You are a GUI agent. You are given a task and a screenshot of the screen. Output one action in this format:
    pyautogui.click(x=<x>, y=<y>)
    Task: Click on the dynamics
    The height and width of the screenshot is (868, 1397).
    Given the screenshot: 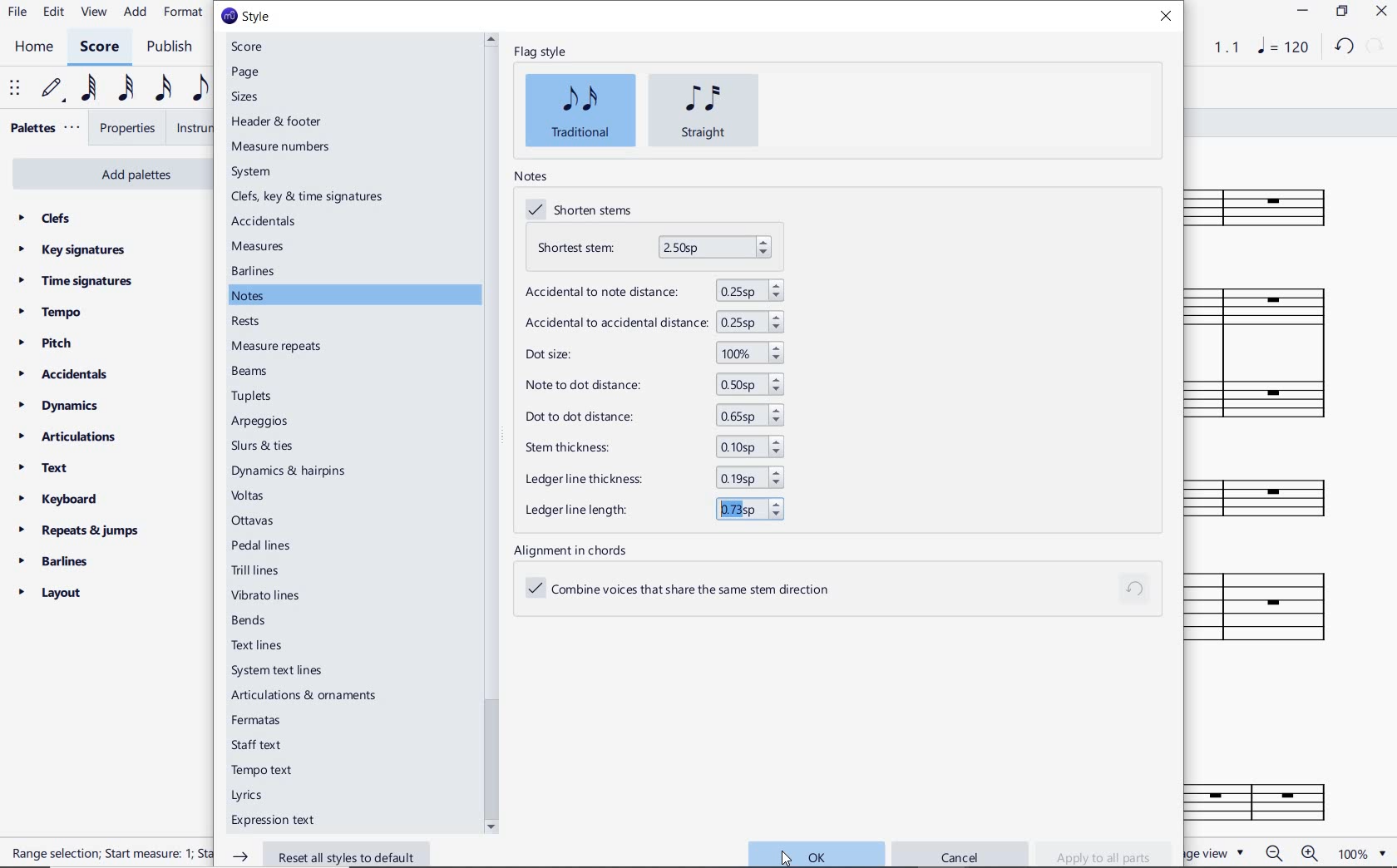 What is the action you would take?
    pyautogui.click(x=61, y=405)
    